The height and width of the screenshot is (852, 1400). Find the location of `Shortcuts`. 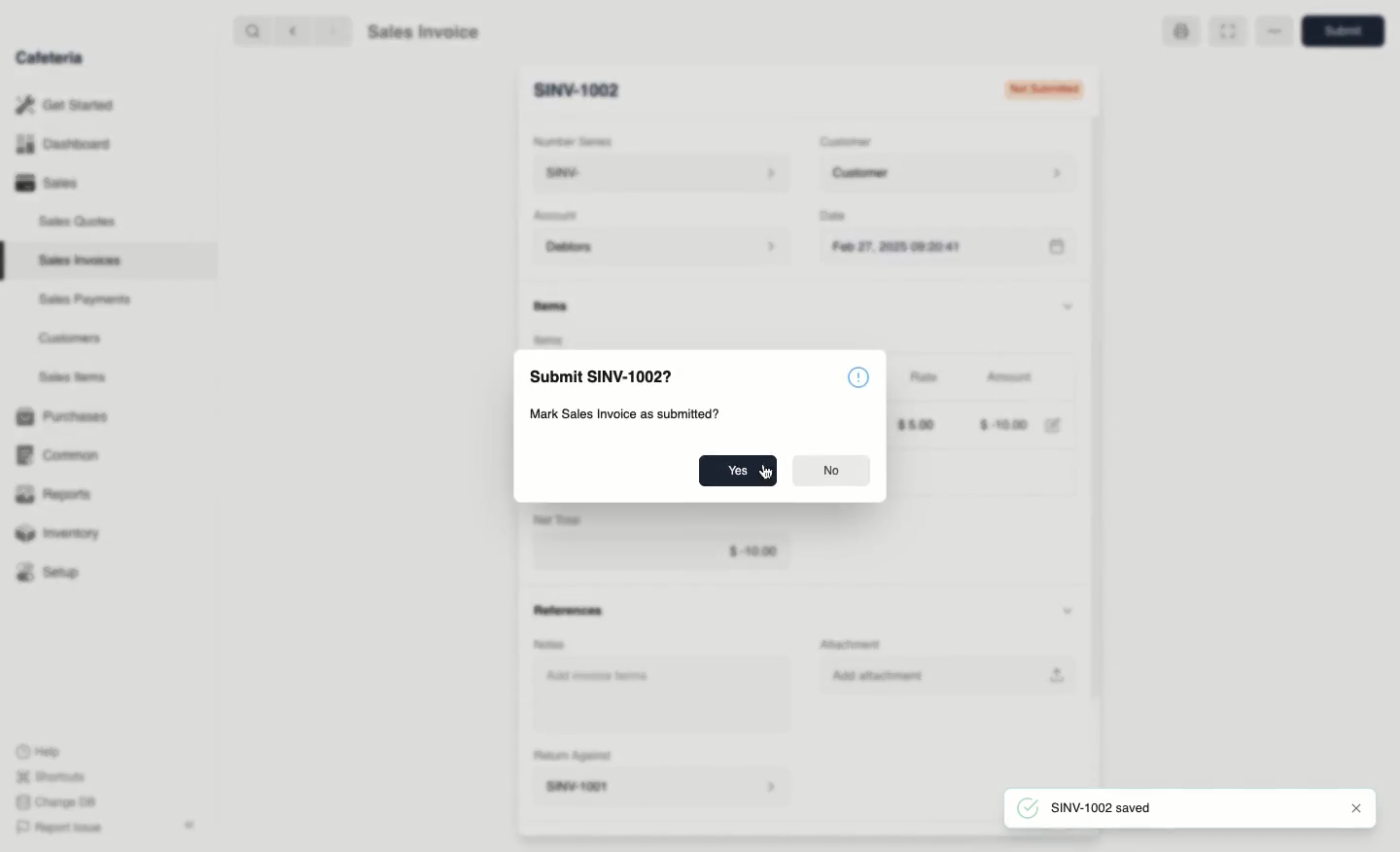

Shortcuts is located at coordinates (52, 775).